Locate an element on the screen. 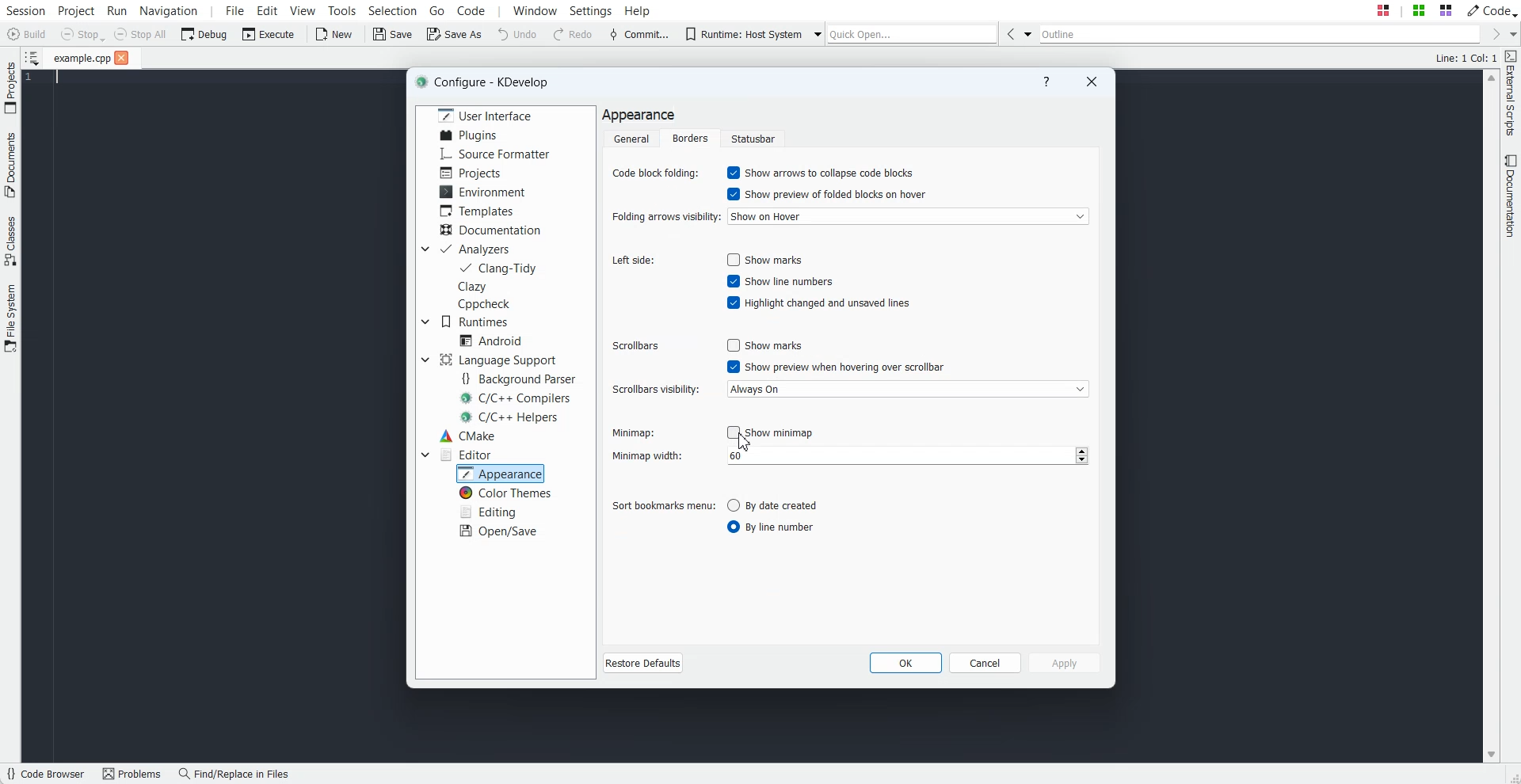 The width and height of the screenshot is (1521, 784). Undo is located at coordinates (517, 34).